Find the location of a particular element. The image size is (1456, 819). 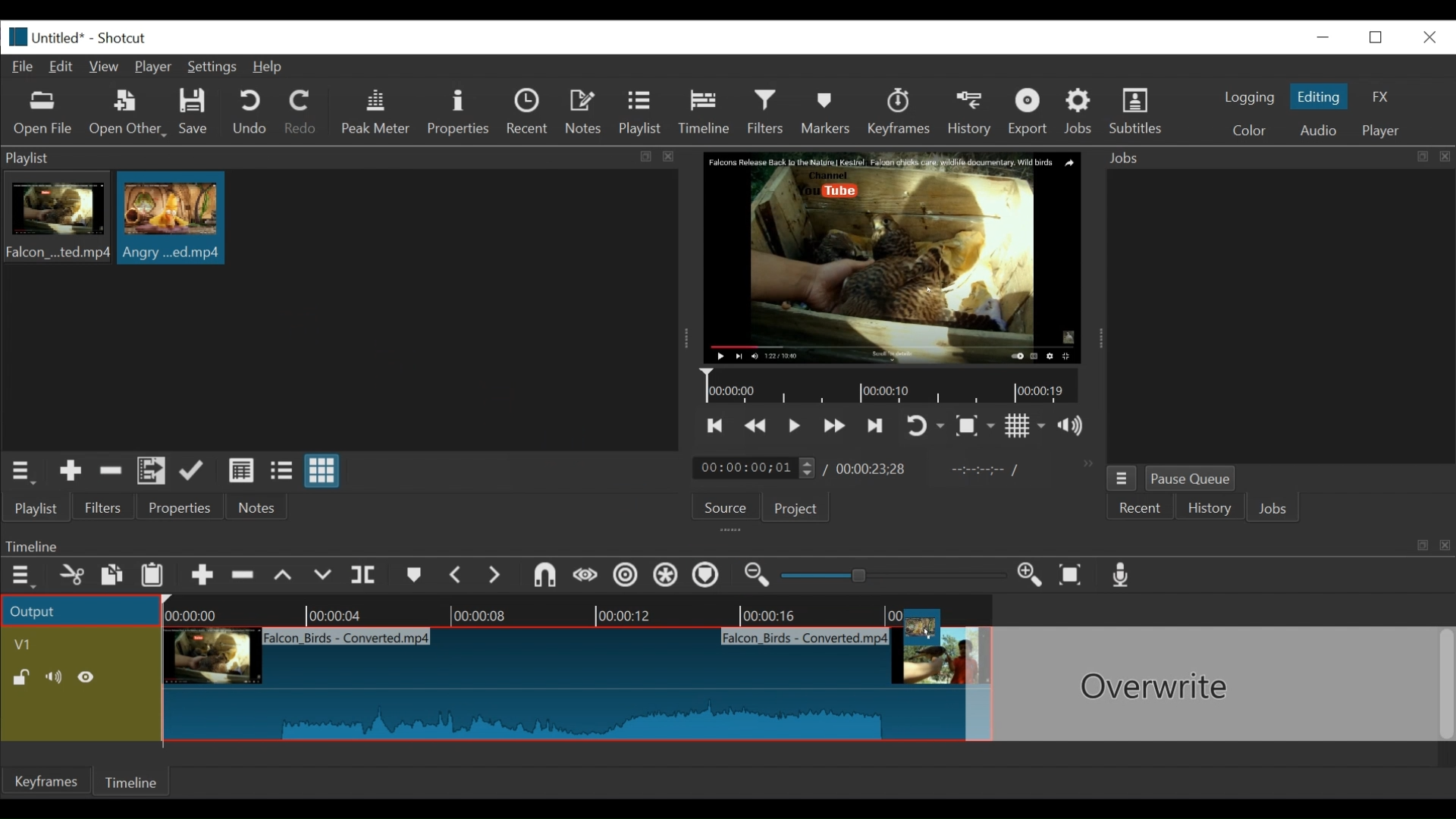

Add the source to the playlist is located at coordinates (69, 473).